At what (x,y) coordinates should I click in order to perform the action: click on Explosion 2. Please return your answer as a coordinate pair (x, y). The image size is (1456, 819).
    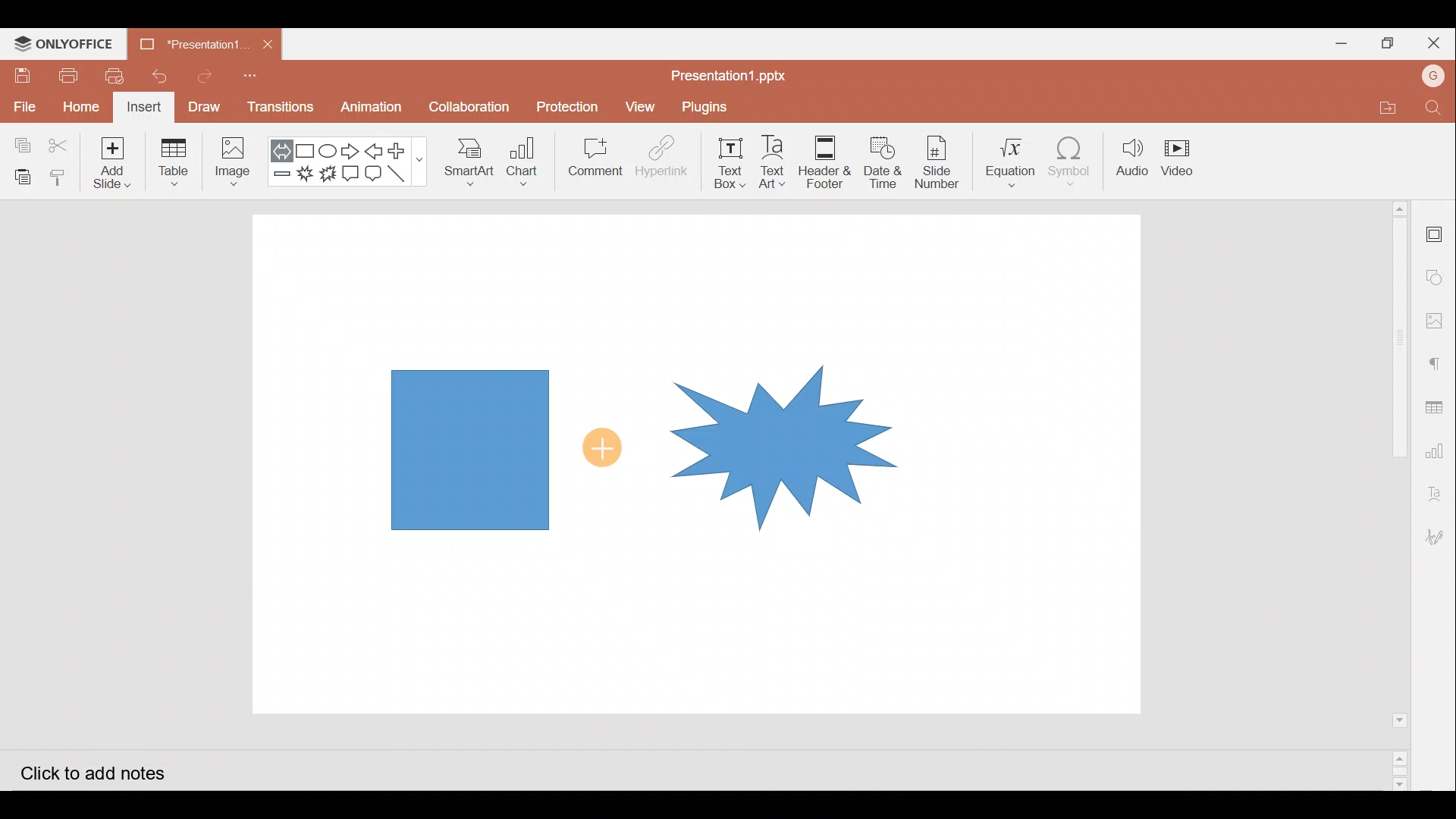
    Looking at the image, I should click on (327, 173).